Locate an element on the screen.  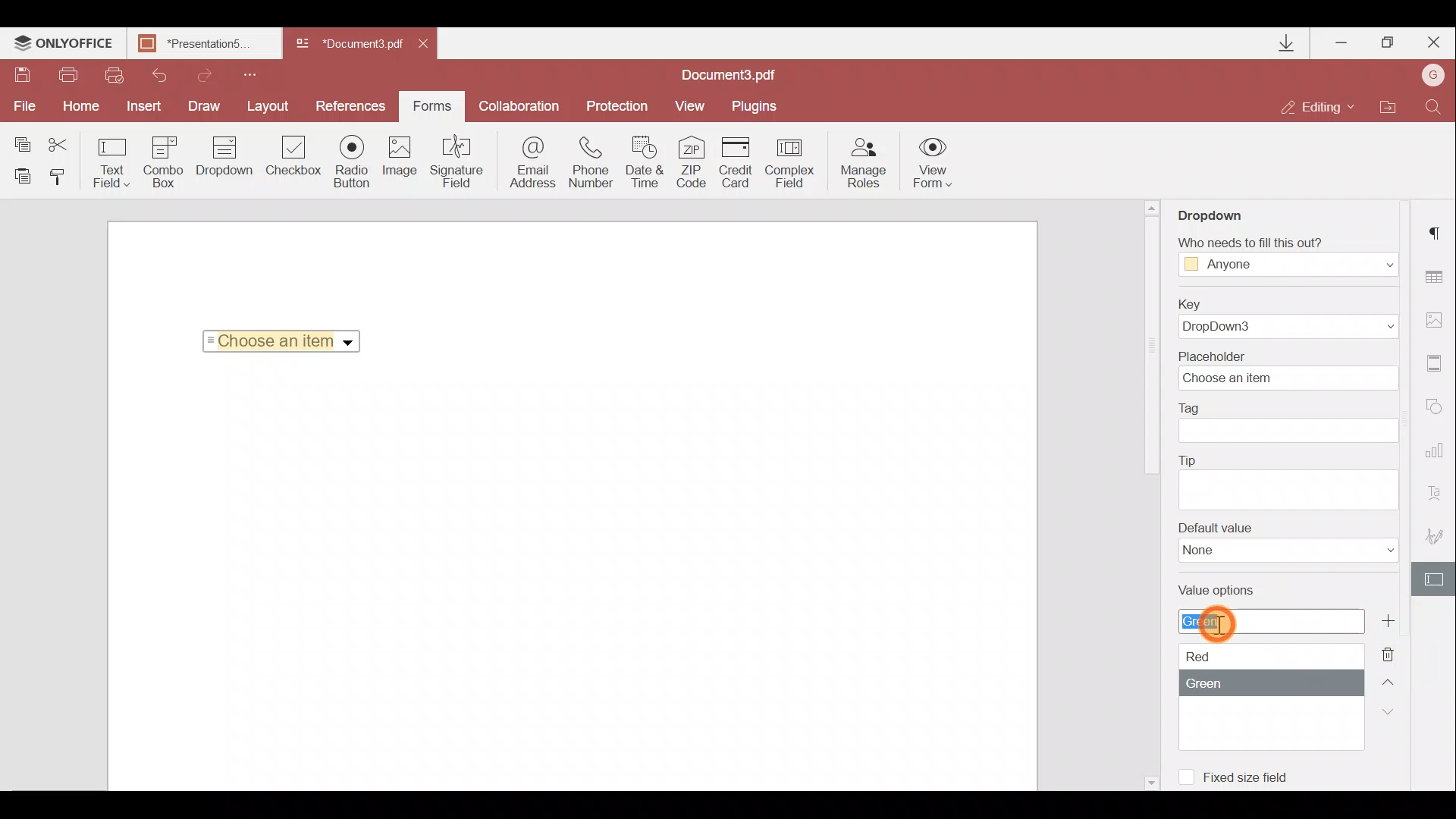
Signature settings is located at coordinates (1433, 531).